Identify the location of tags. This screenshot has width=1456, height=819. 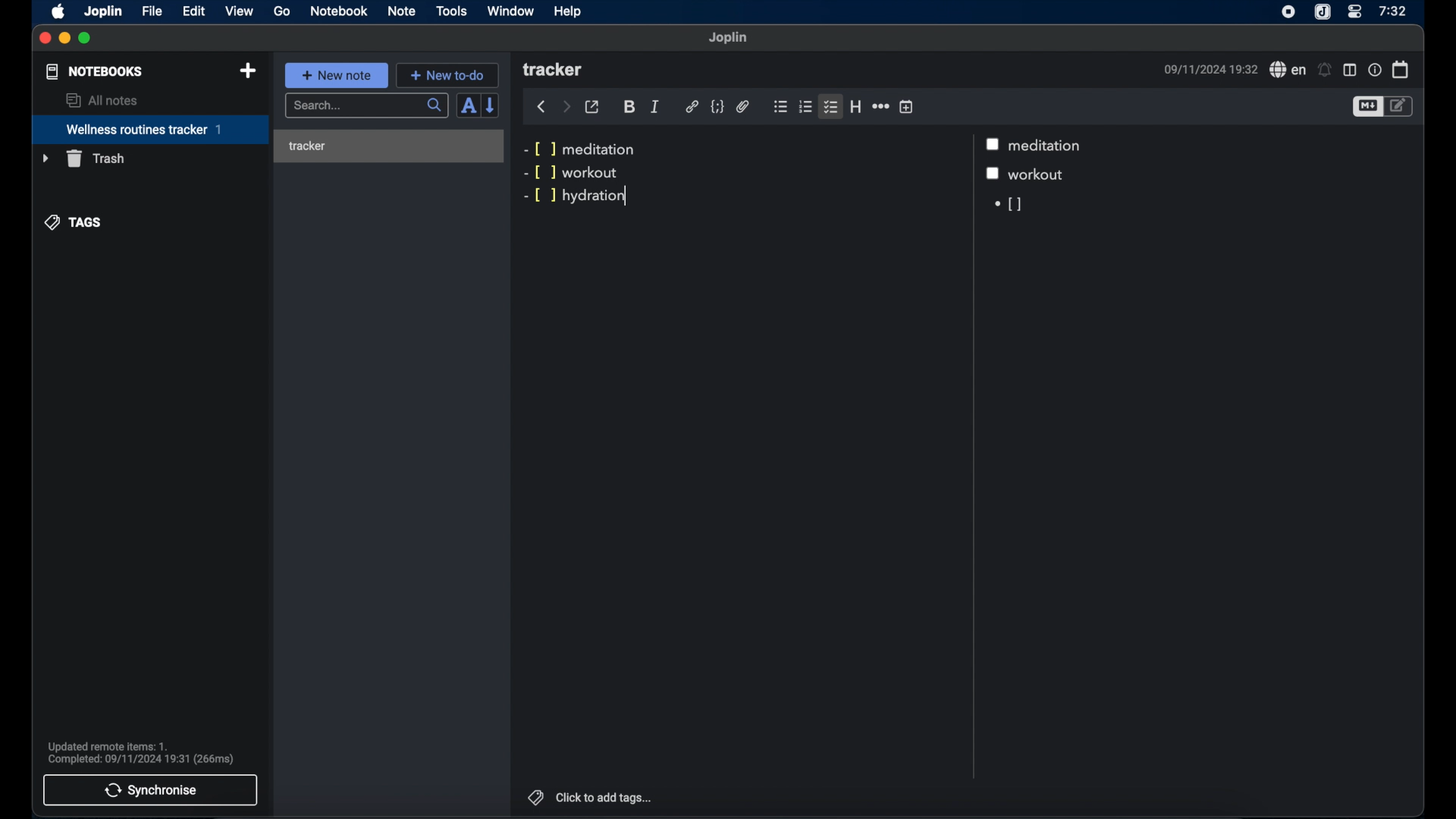
(74, 223).